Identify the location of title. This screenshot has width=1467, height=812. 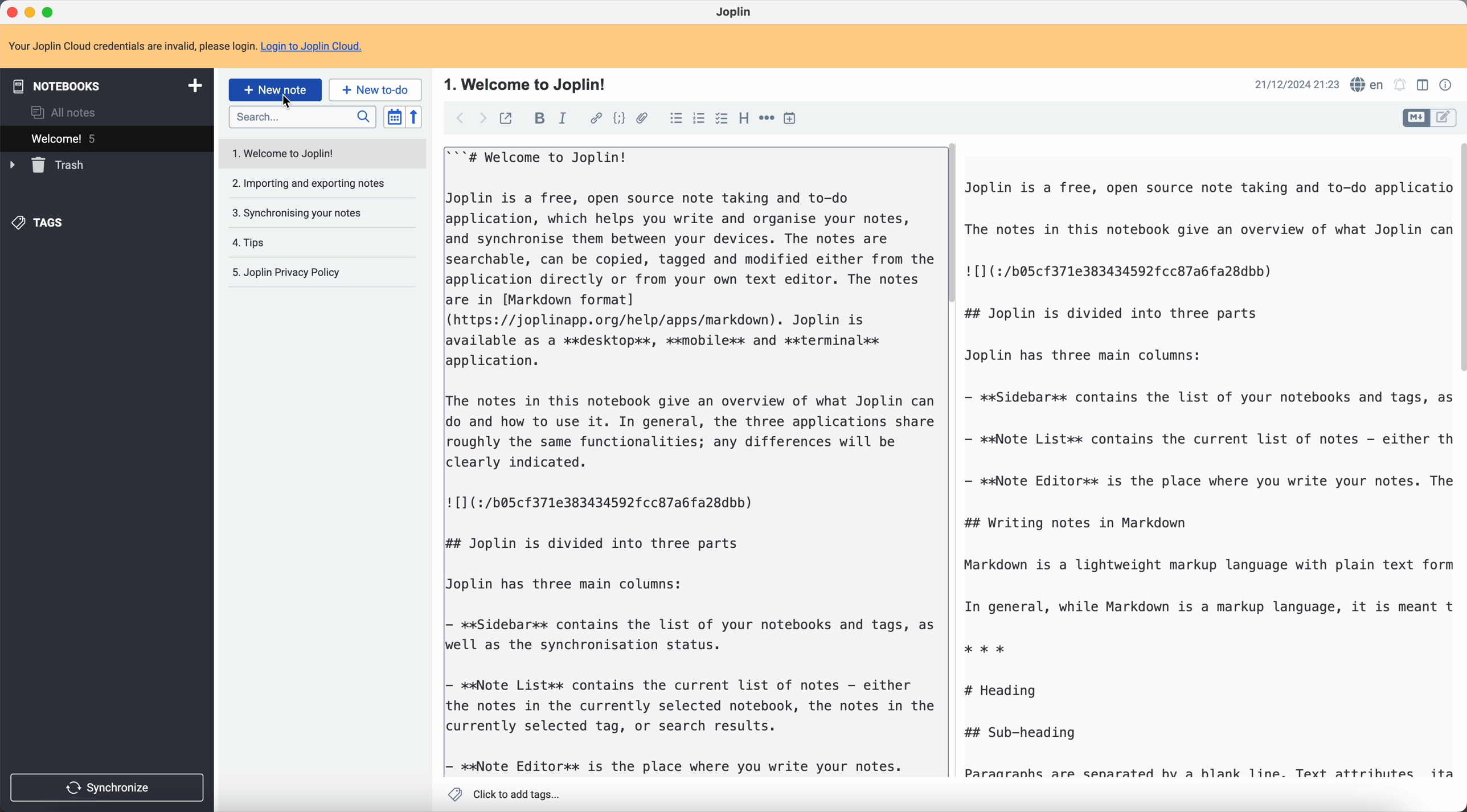
(527, 85).